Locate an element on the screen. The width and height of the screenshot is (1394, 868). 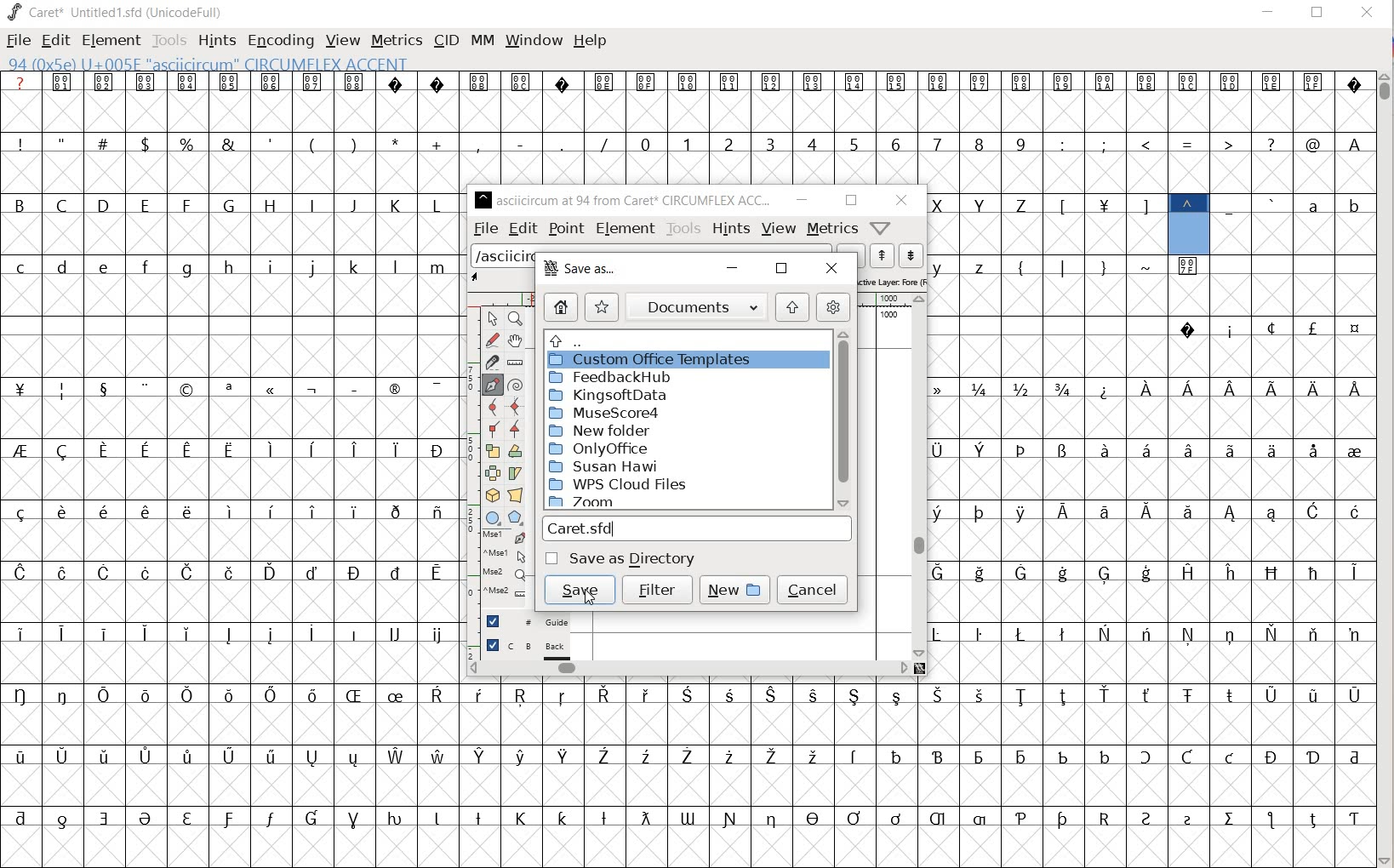
flip the selection is located at coordinates (492, 473).